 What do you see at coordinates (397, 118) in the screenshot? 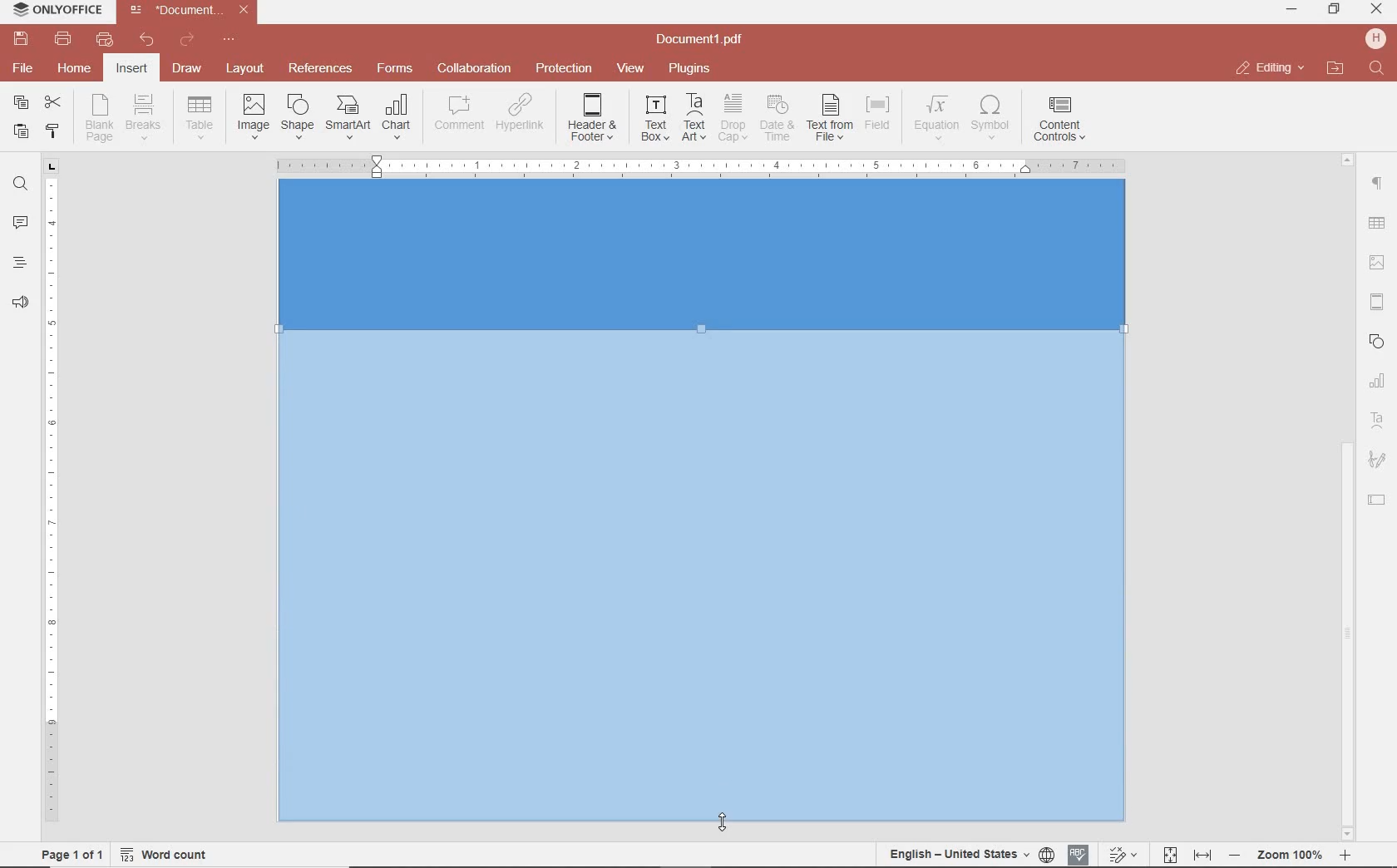
I see `INSERT CHAT` at bounding box center [397, 118].